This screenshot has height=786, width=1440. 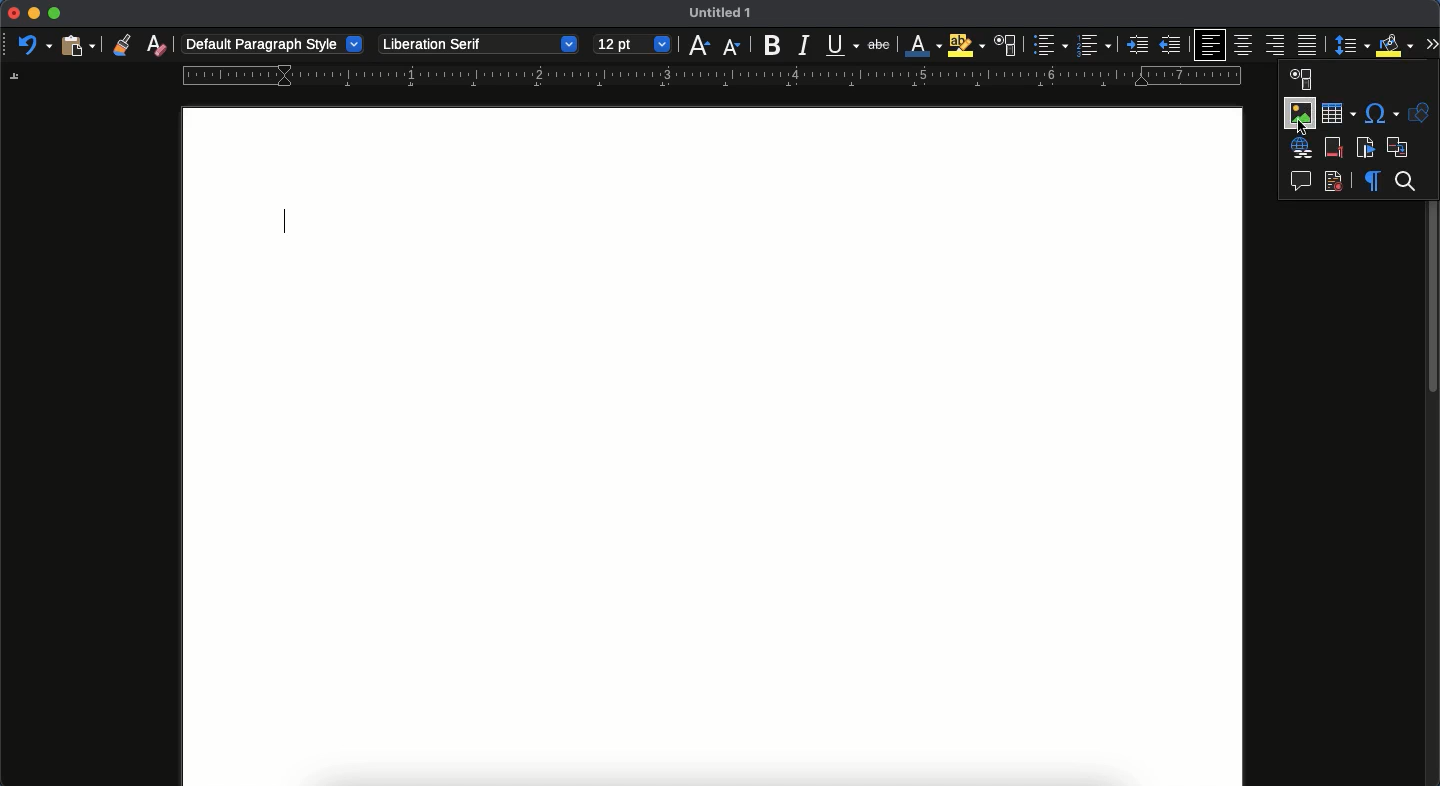 I want to click on character, so click(x=1006, y=46).